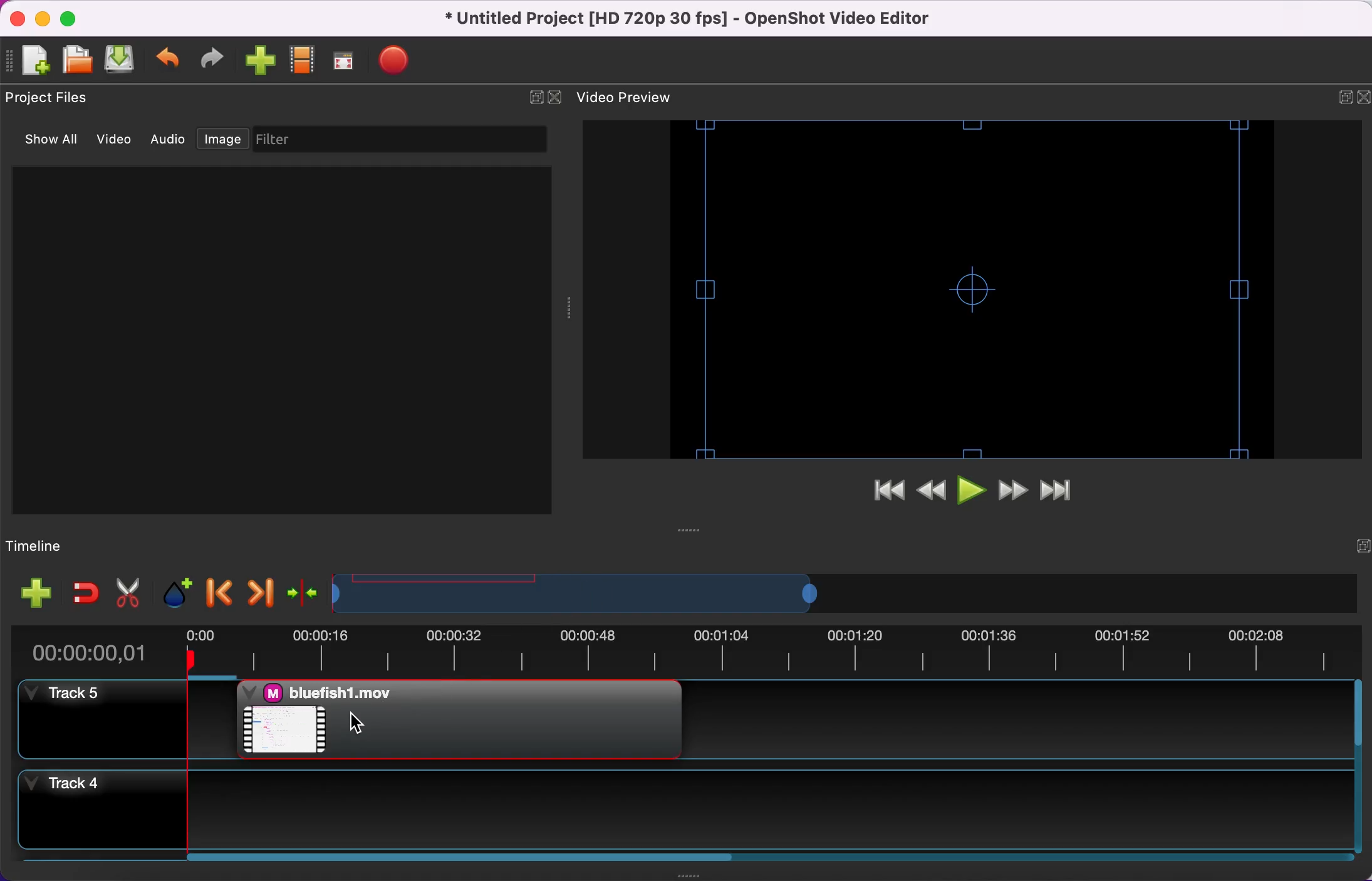  I want to click on save file, so click(123, 61).